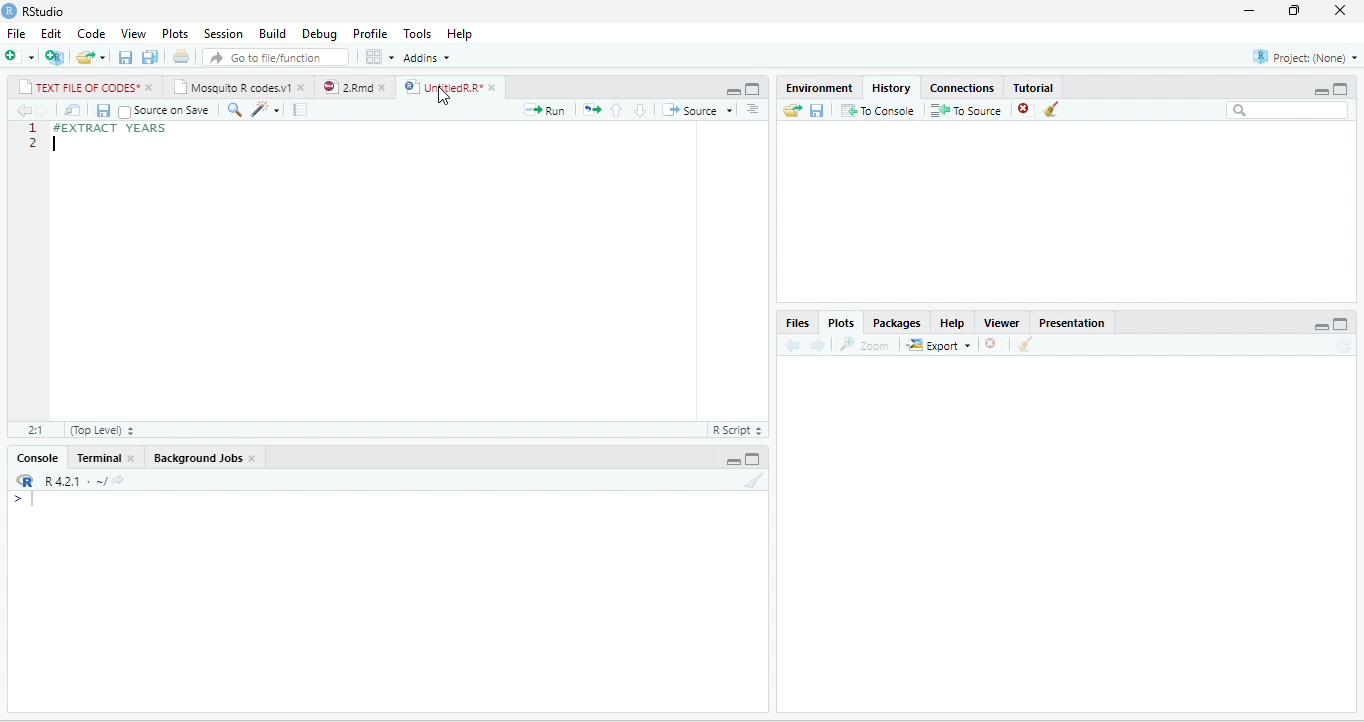 The image size is (1364, 722). Describe the element at coordinates (133, 34) in the screenshot. I see `View` at that location.